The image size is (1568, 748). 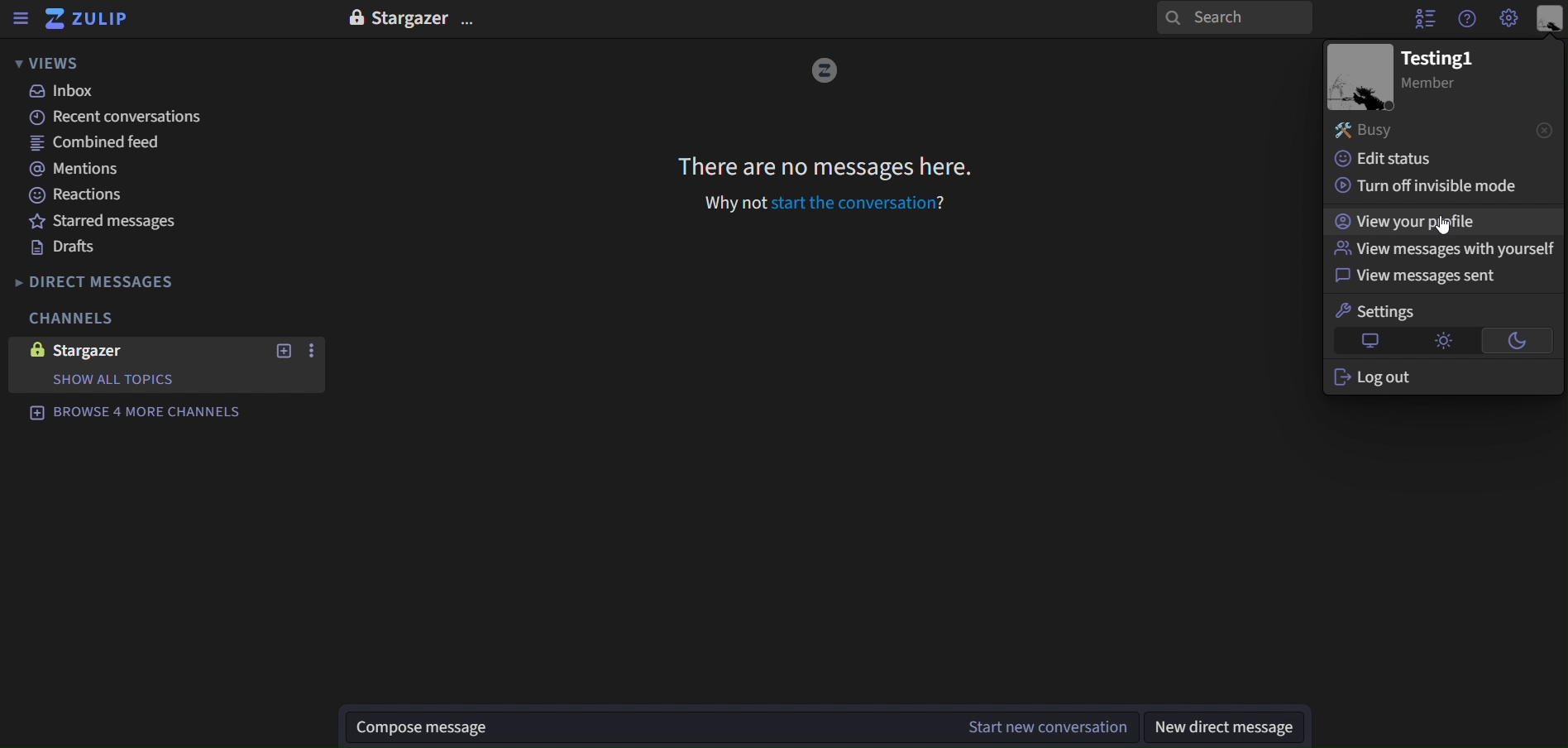 I want to click on settings, so click(x=1395, y=310).